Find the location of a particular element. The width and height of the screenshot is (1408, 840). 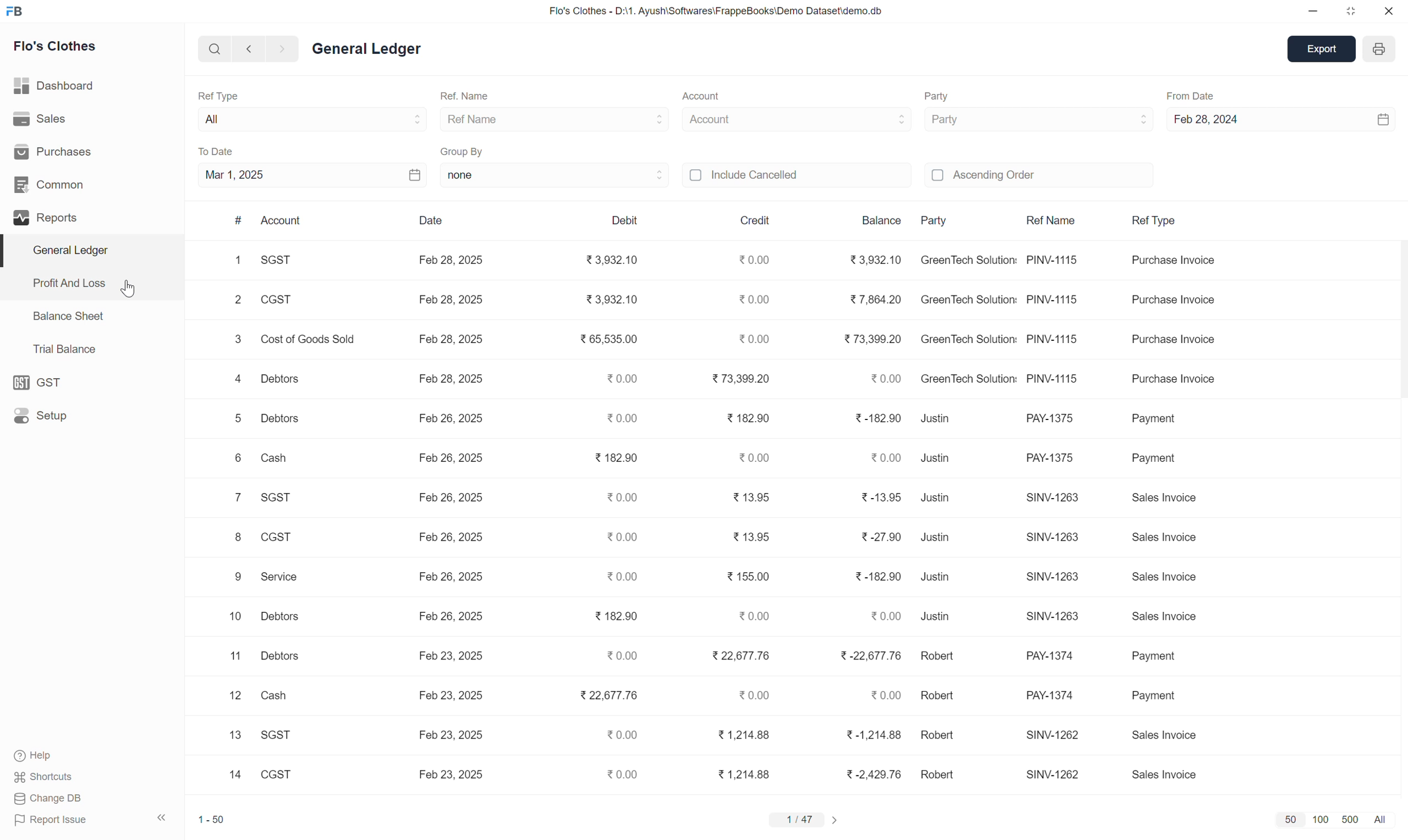

SINV-1263 is located at coordinates (1051, 534).